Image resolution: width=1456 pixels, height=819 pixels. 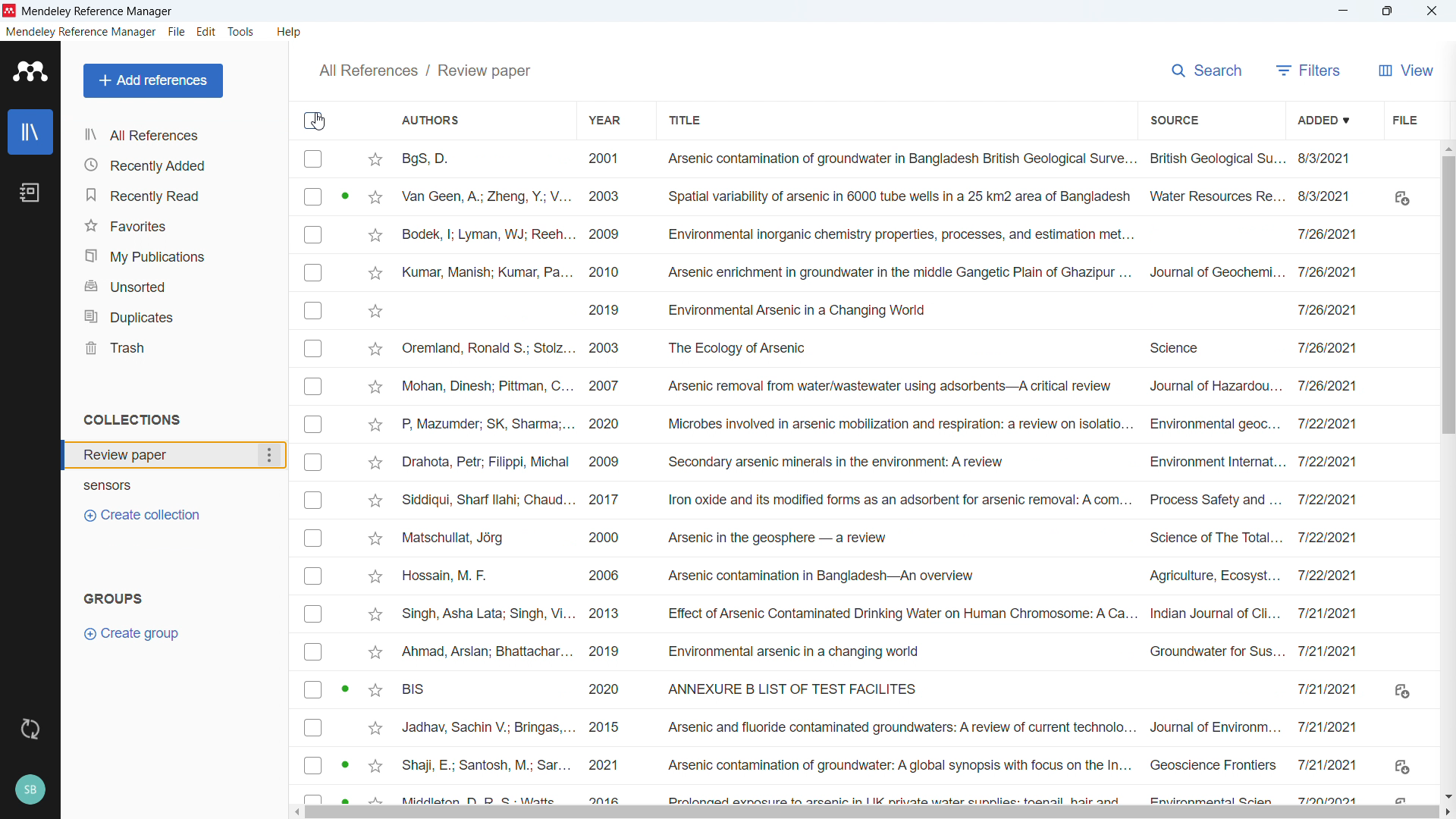 I want to click on Indicates current selection, so click(x=345, y=196).